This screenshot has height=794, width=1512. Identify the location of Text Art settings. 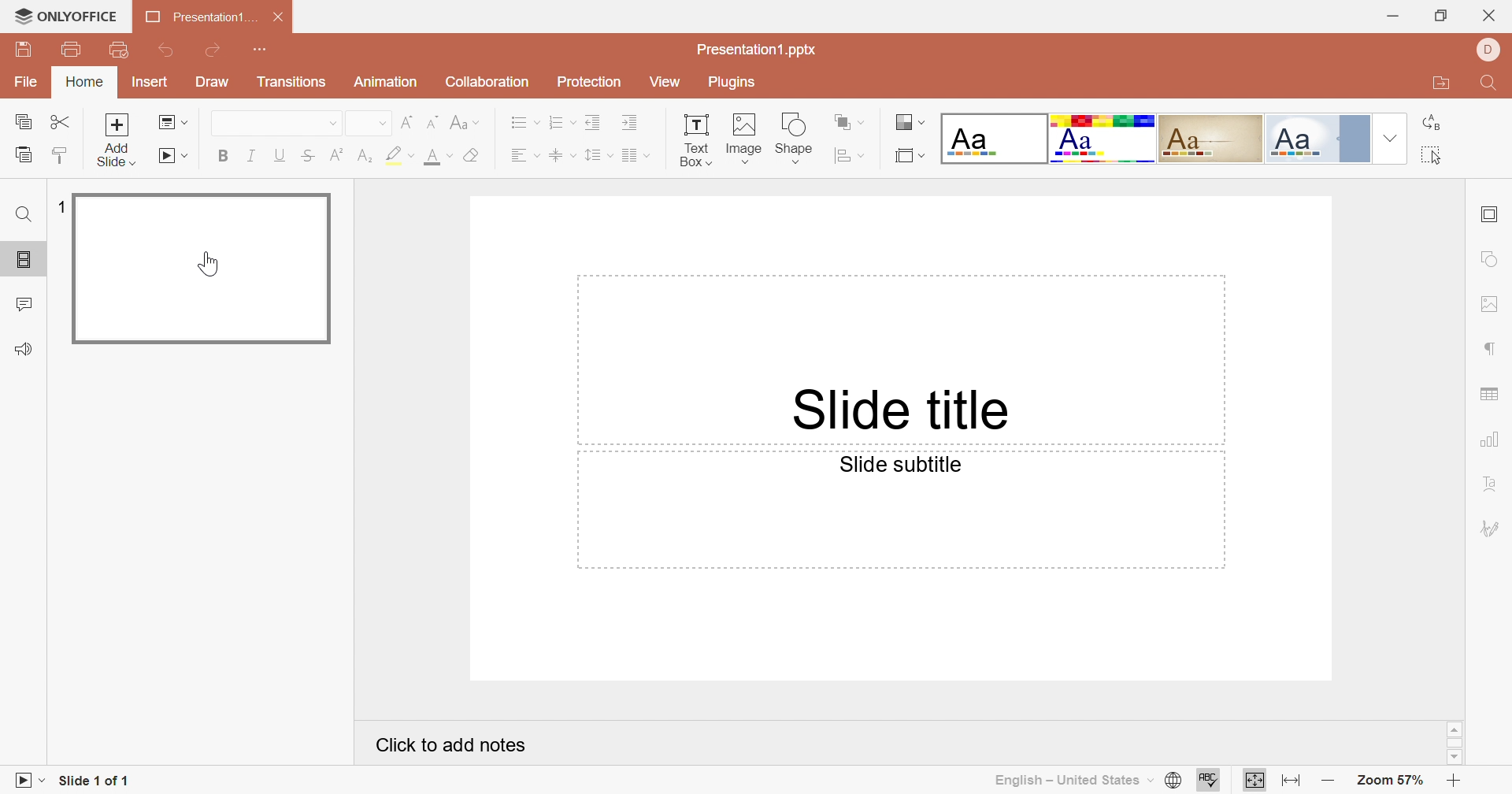
(1492, 489).